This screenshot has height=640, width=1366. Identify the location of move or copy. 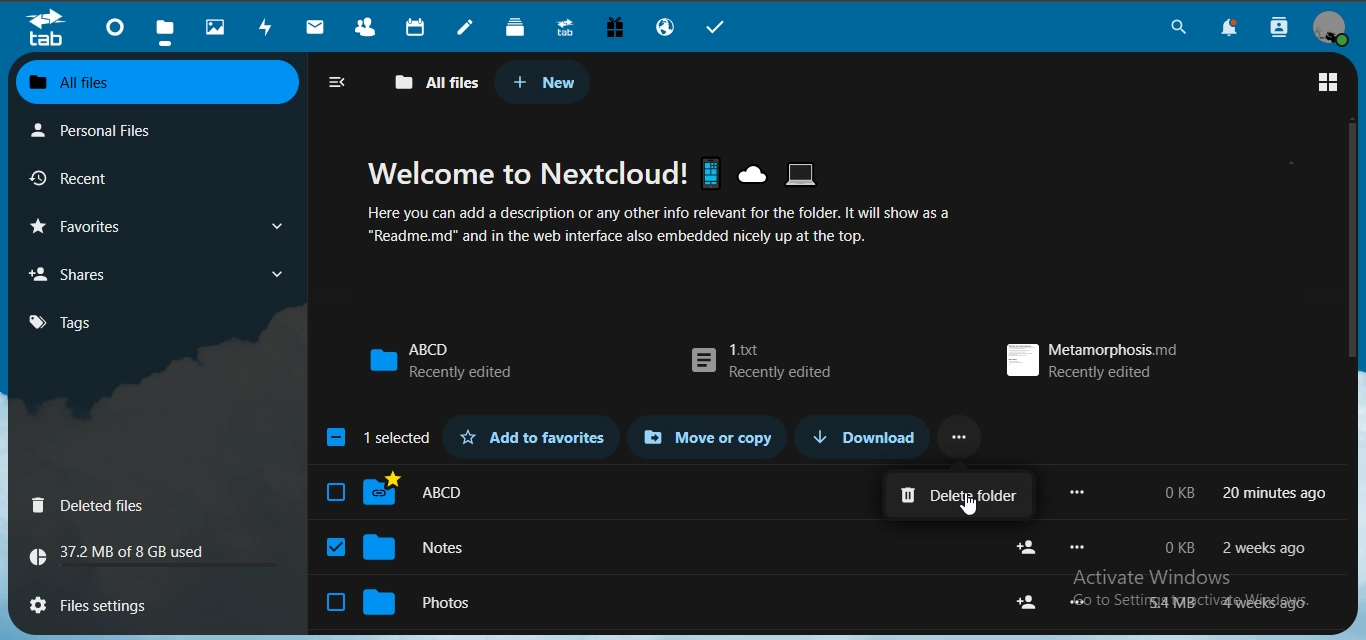
(708, 437).